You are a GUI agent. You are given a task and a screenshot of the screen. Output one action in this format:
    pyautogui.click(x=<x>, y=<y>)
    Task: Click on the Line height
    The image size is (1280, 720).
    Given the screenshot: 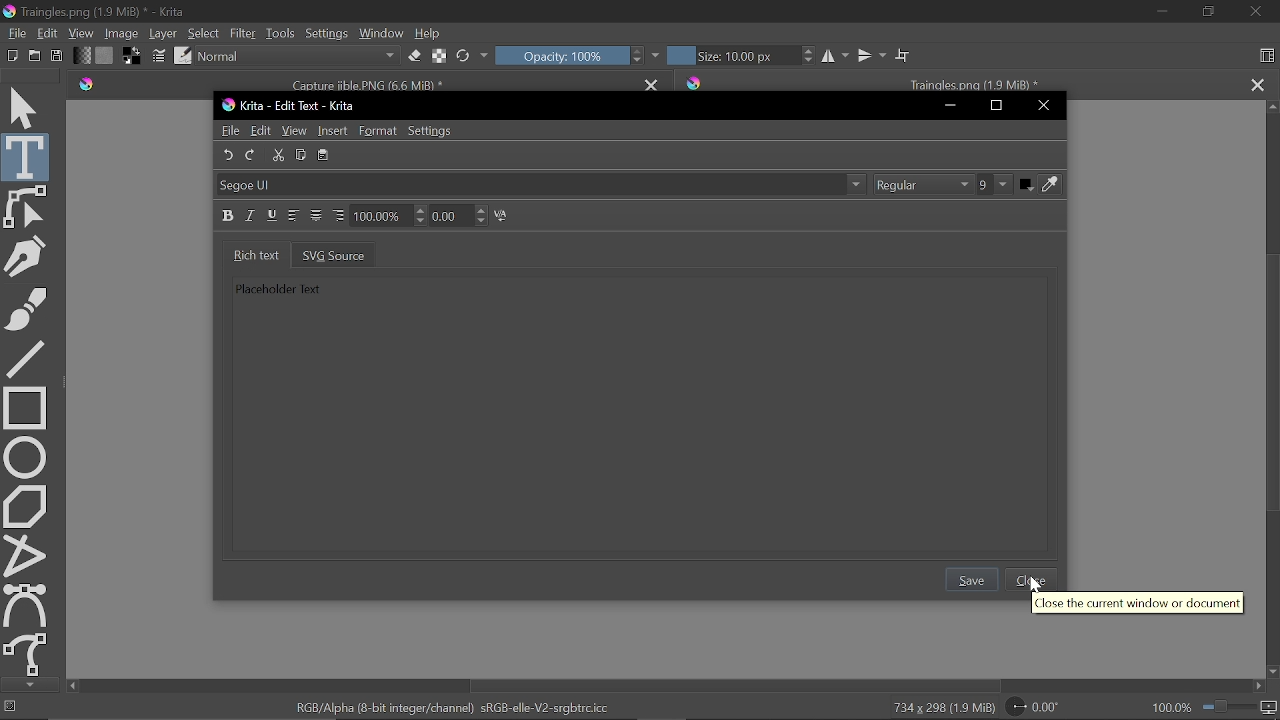 What is the action you would take?
    pyautogui.click(x=389, y=215)
    